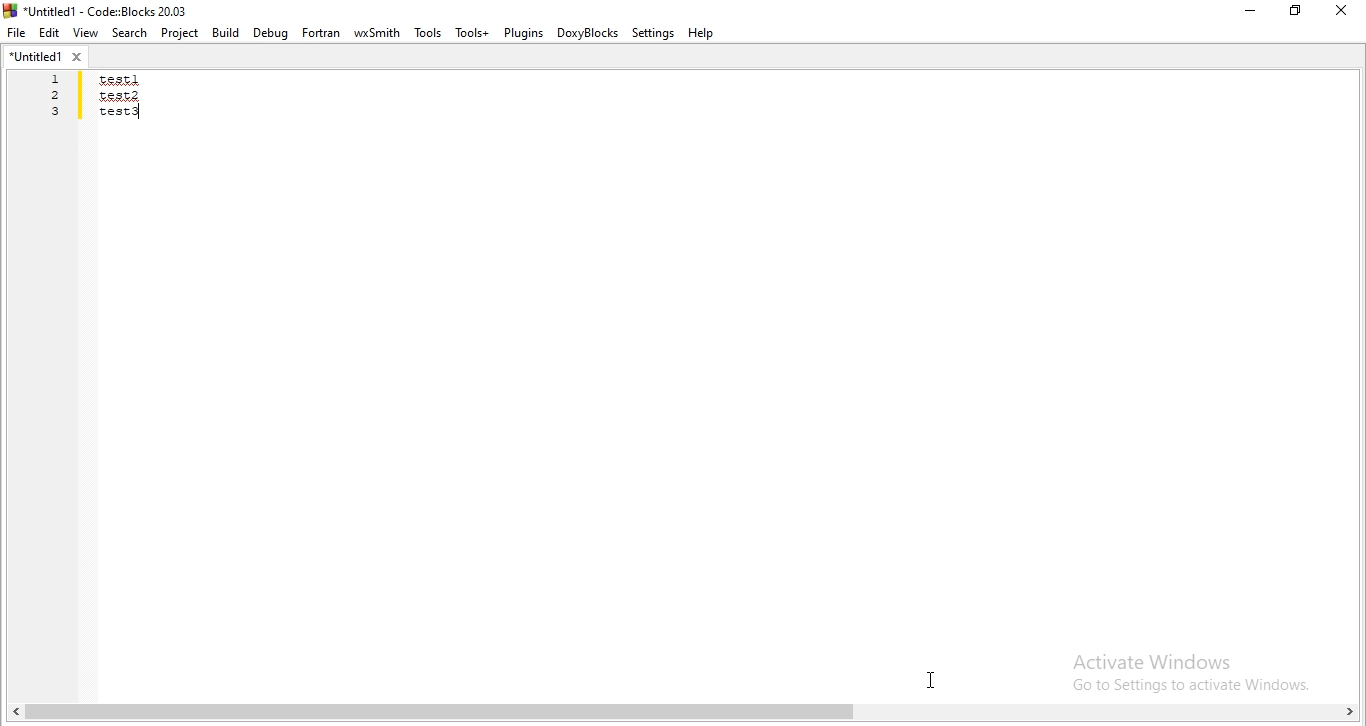  What do you see at coordinates (119, 116) in the screenshot?
I see `test 3` at bounding box center [119, 116].